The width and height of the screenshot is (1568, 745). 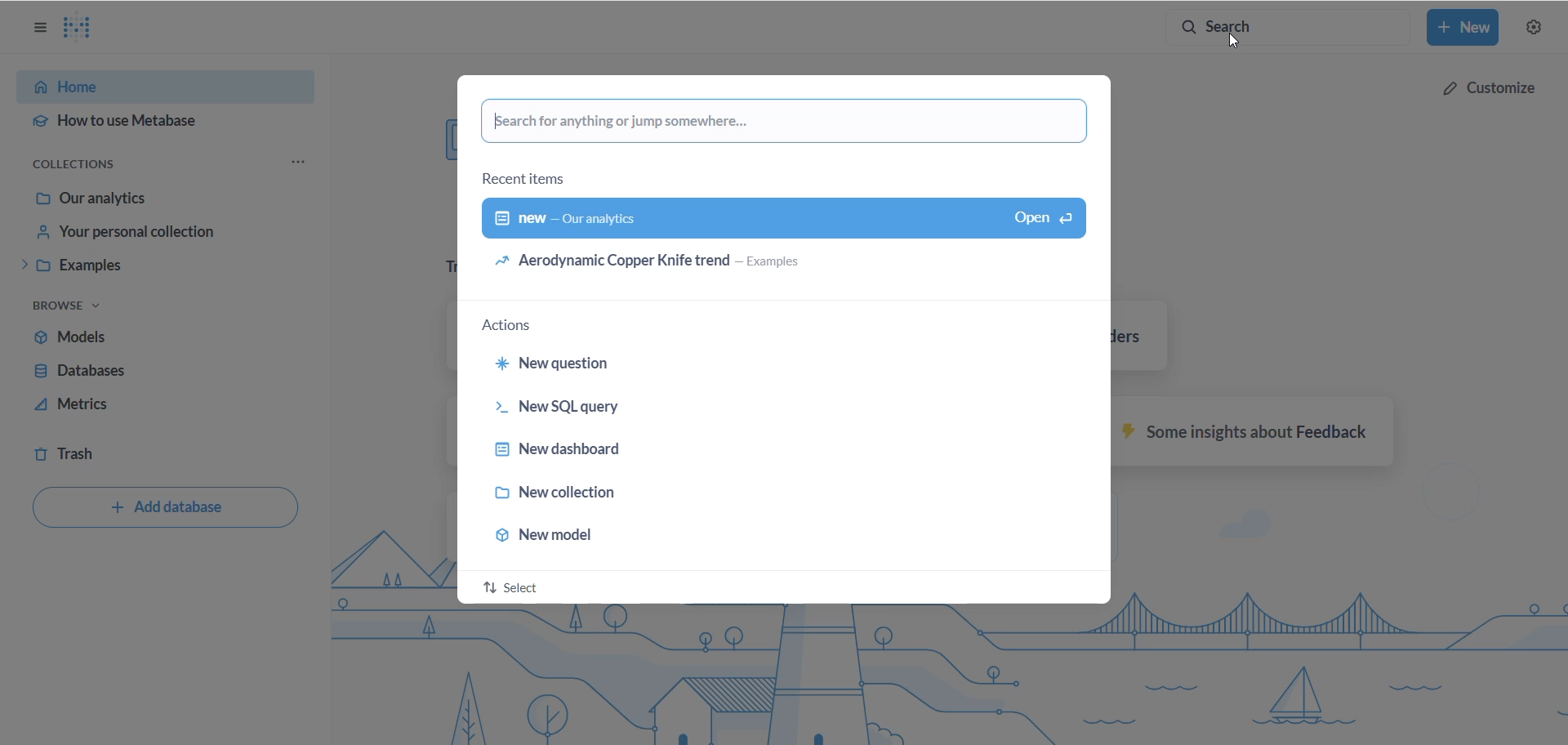 What do you see at coordinates (514, 325) in the screenshot?
I see `actions` at bounding box center [514, 325].